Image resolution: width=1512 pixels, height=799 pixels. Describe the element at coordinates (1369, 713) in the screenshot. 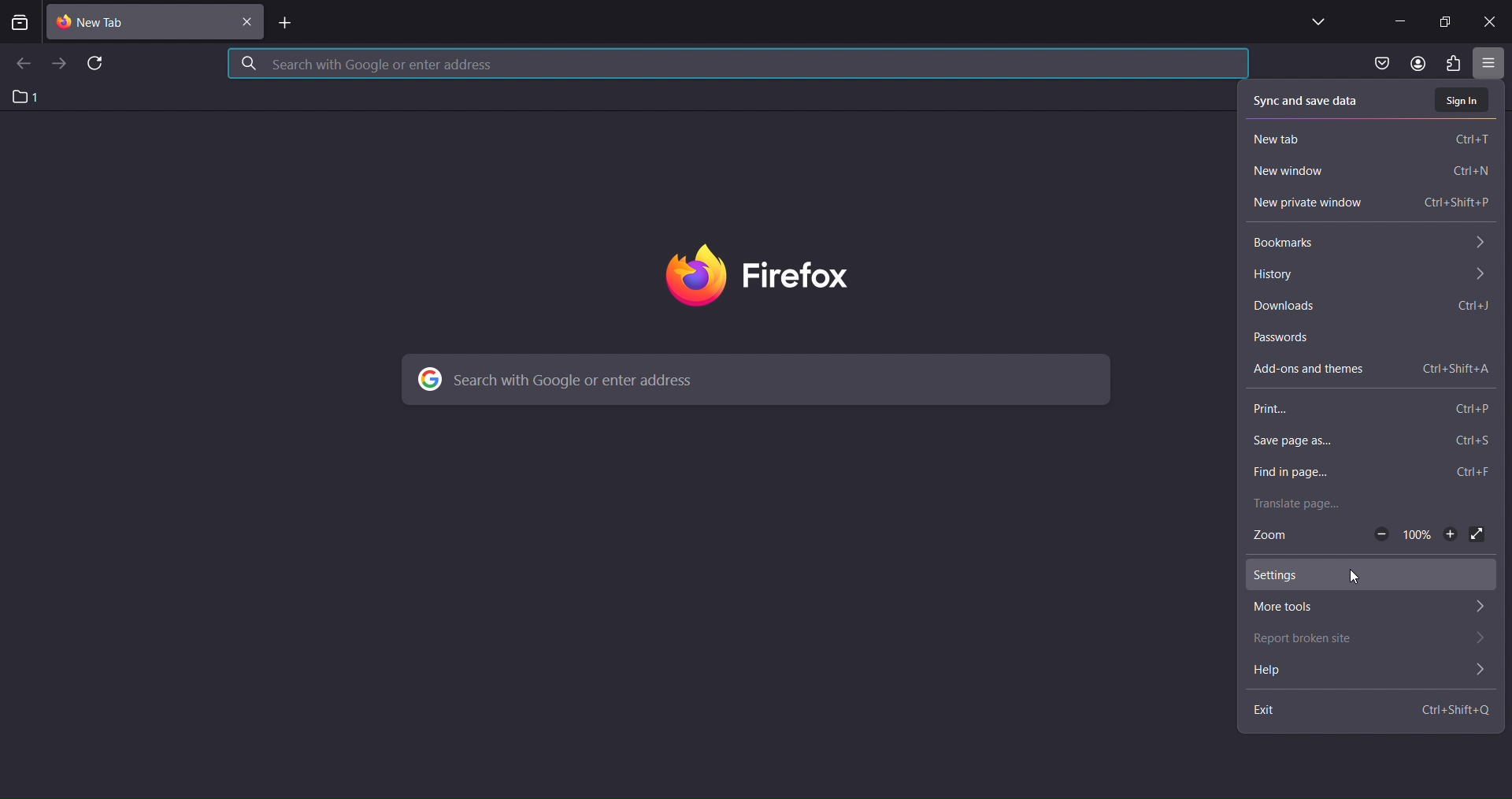

I see `exit` at that location.